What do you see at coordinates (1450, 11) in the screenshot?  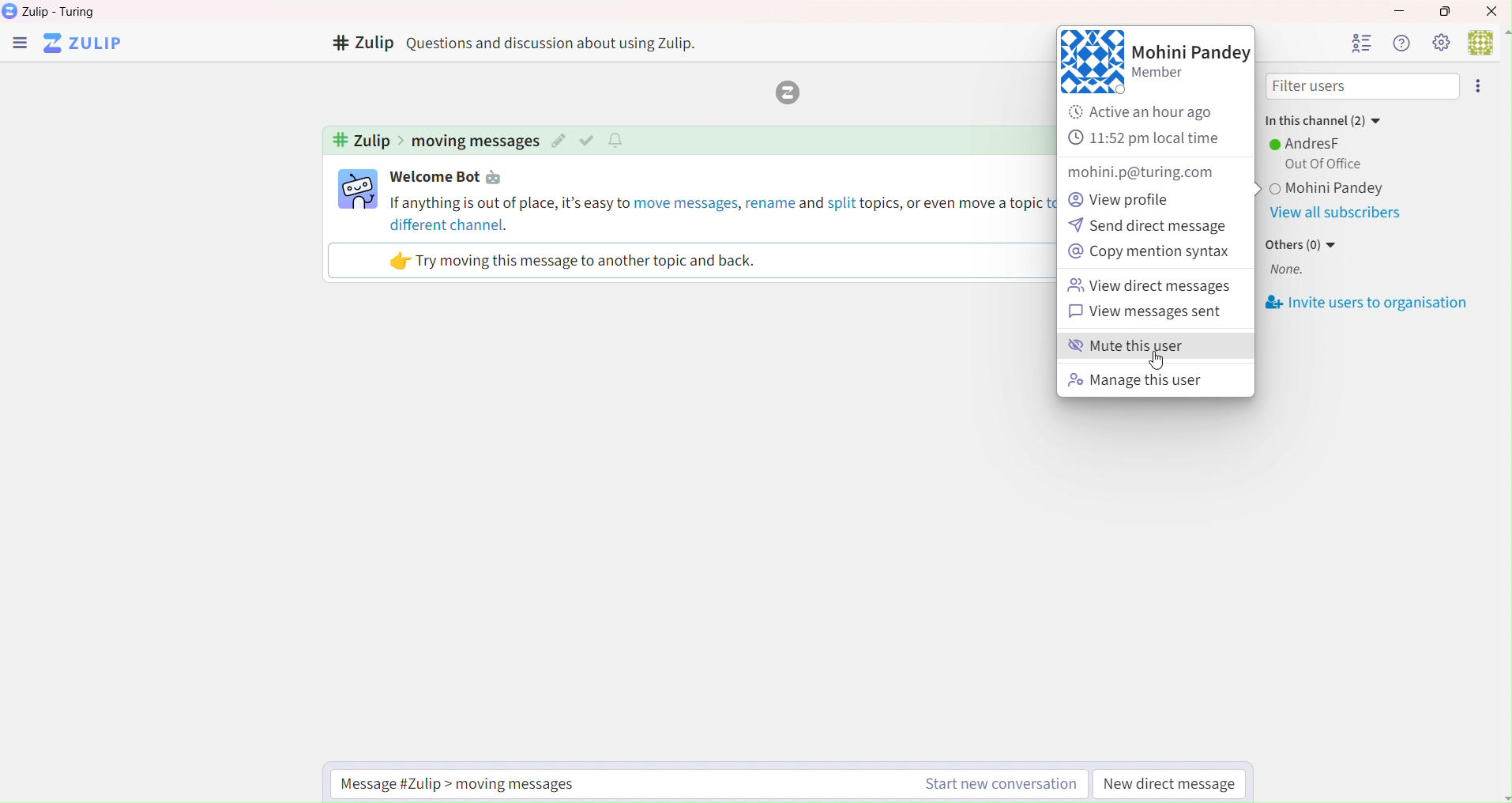 I see `Box` at bounding box center [1450, 11].